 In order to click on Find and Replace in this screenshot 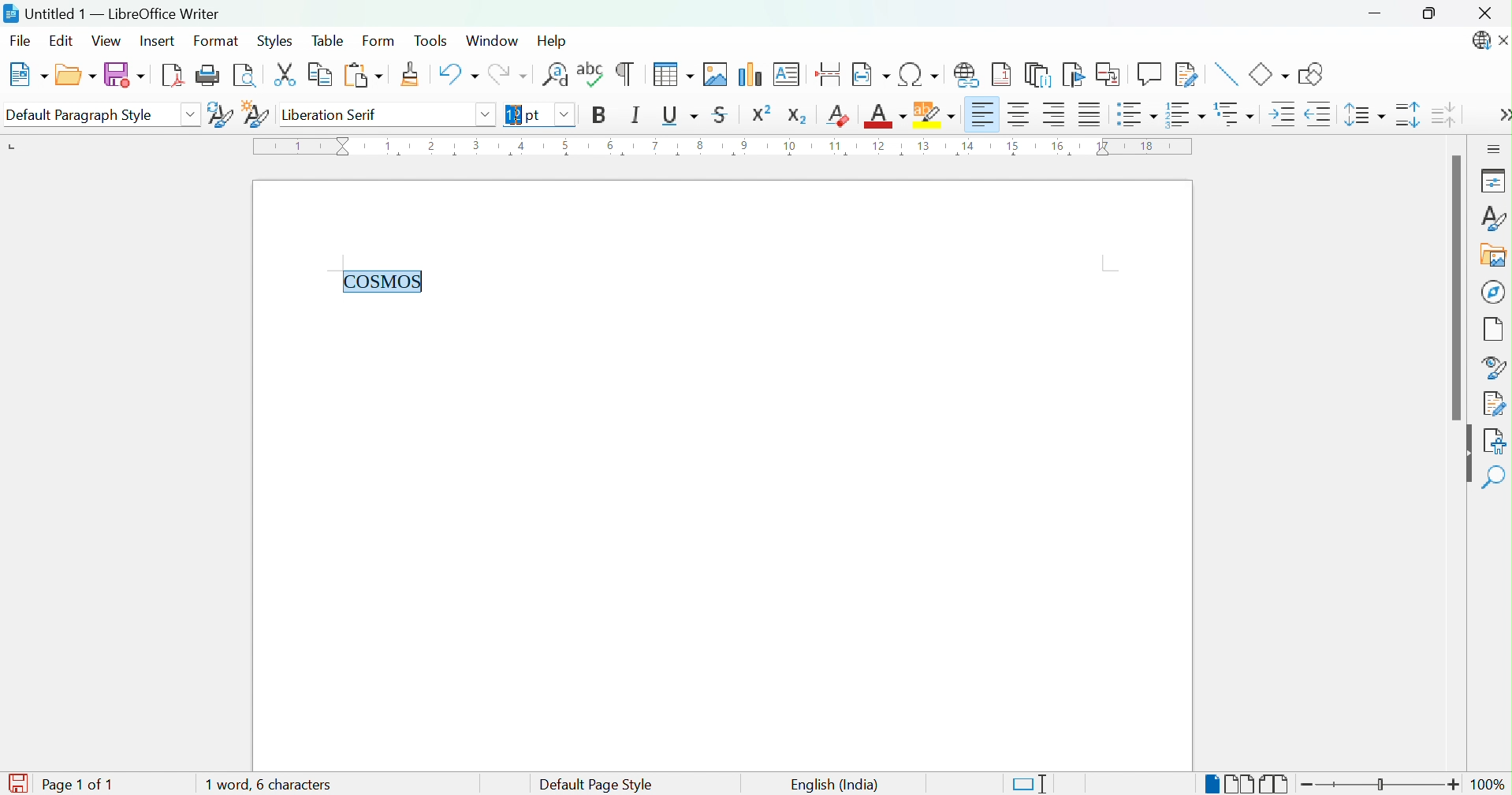, I will do `click(556, 74)`.